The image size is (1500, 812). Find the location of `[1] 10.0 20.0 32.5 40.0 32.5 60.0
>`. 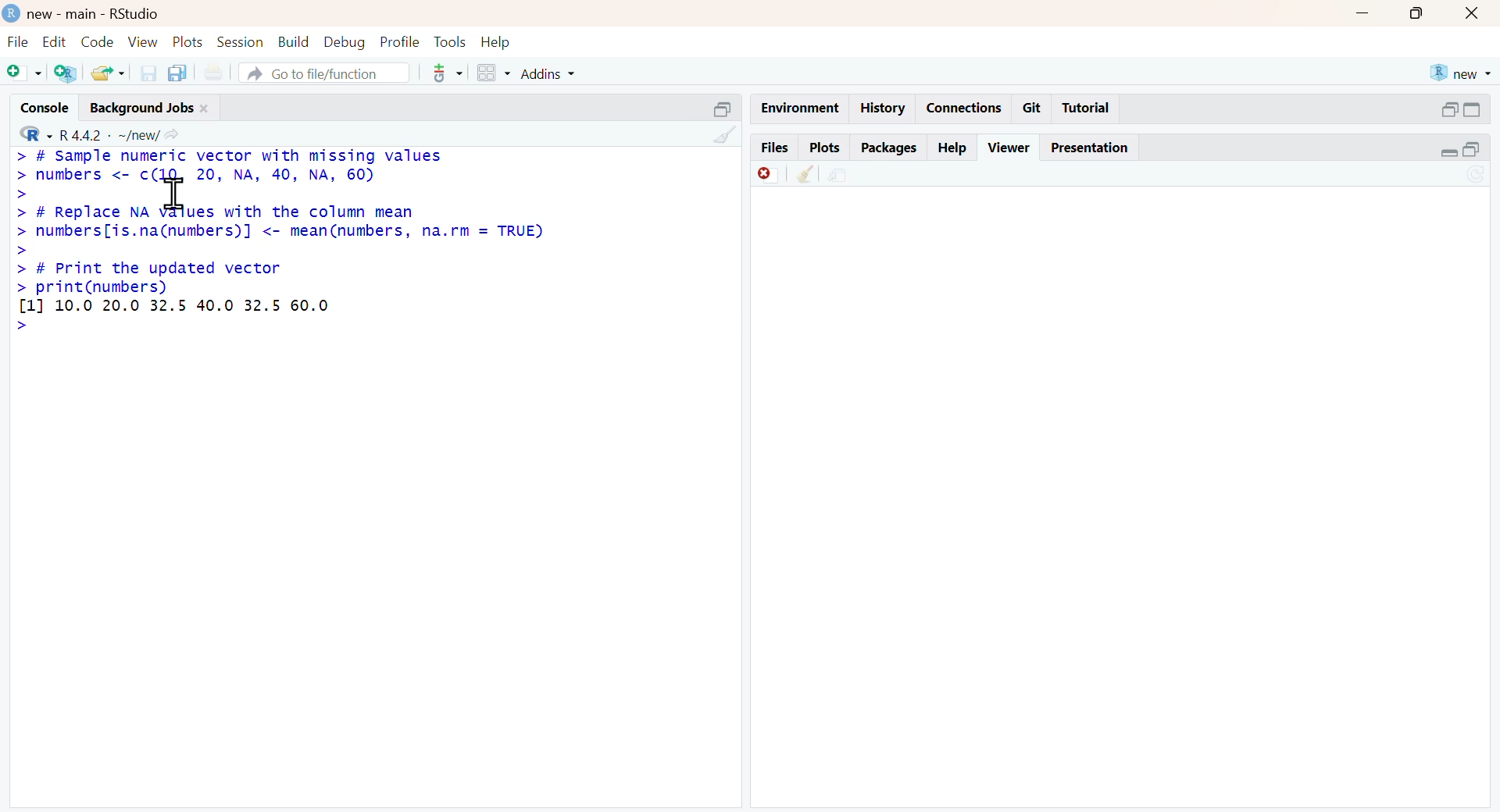

[1] 10.0 20.0 32.5 40.0 32.5 60.0
> is located at coordinates (171, 315).